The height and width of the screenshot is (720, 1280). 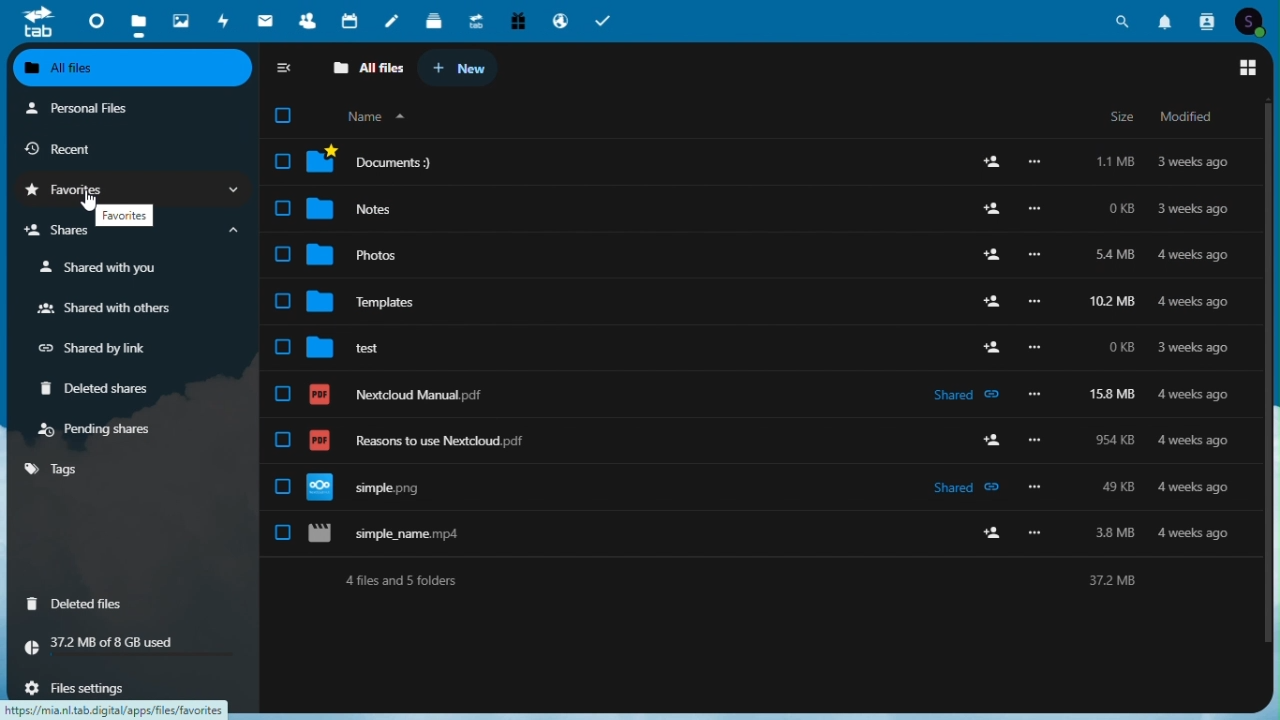 I want to click on modified, so click(x=1185, y=116).